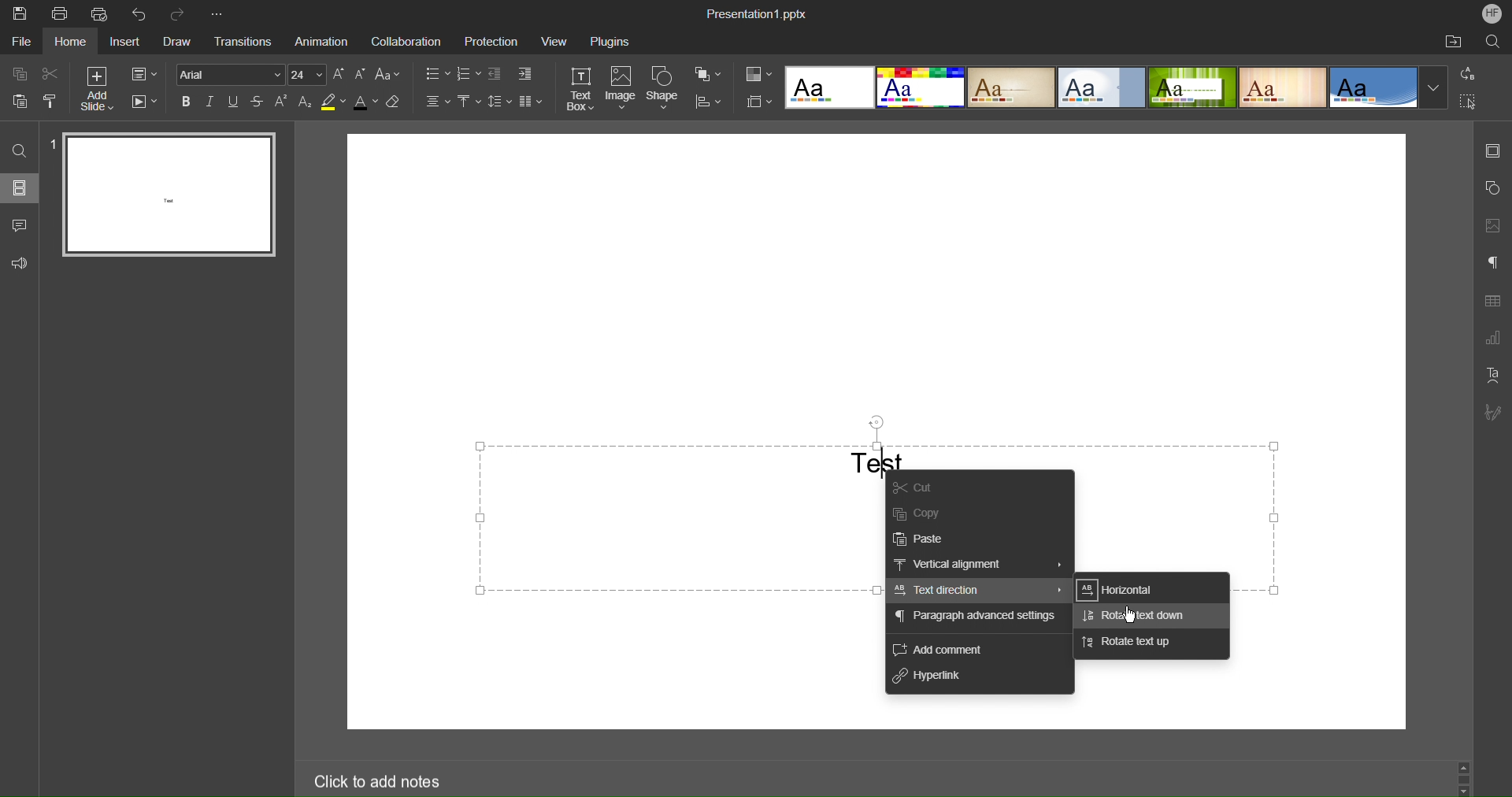 Image resolution: width=1512 pixels, height=797 pixels. I want to click on Text Alignment, so click(436, 102).